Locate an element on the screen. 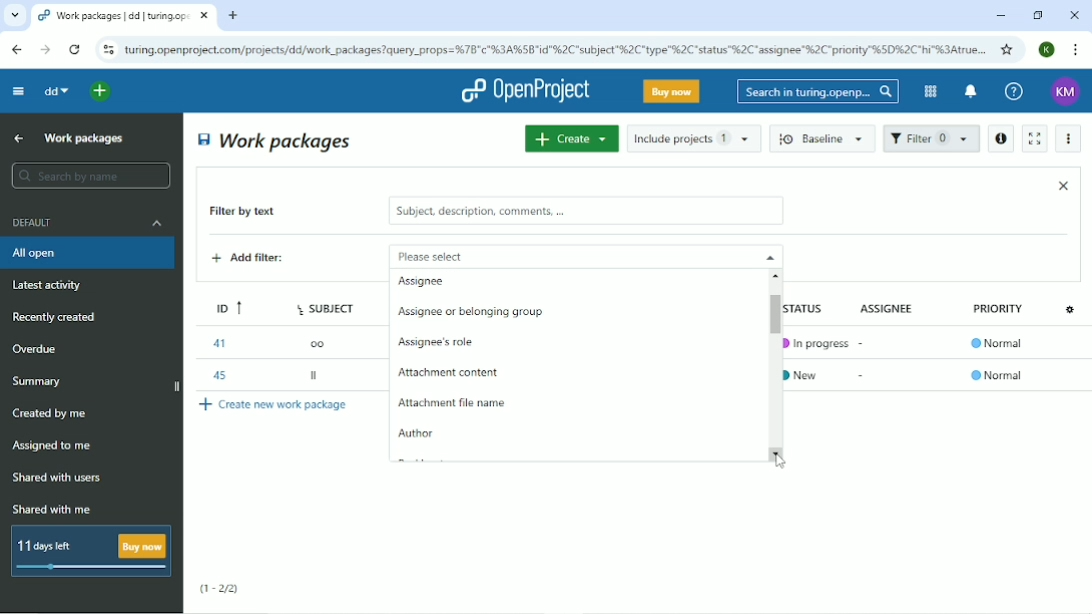 The image size is (1092, 614). Filter by text is located at coordinates (257, 213).